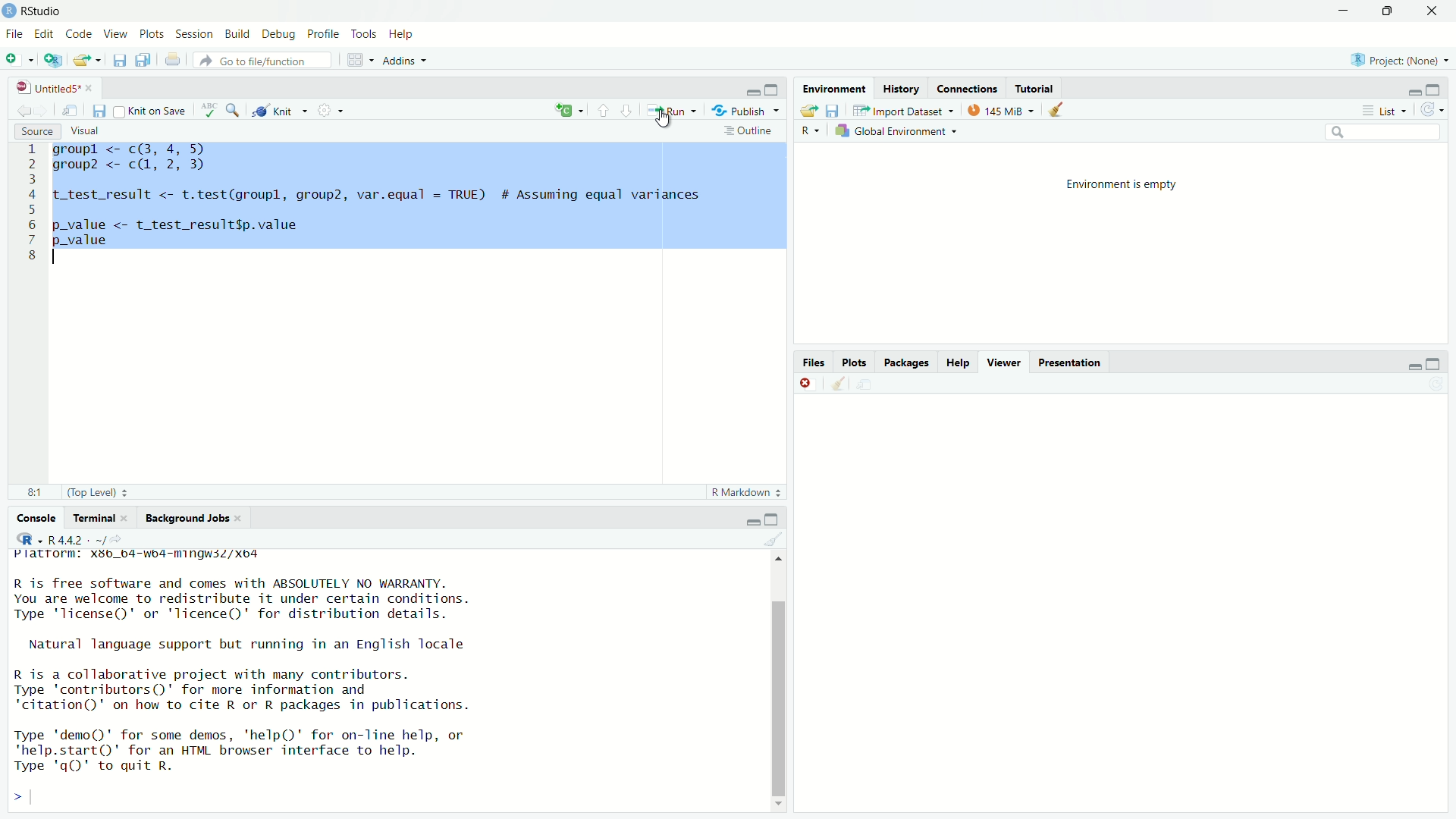 Image resolution: width=1456 pixels, height=819 pixels. Describe the element at coordinates (1381, 109) in the screenshot. I see `List ~` at that location.